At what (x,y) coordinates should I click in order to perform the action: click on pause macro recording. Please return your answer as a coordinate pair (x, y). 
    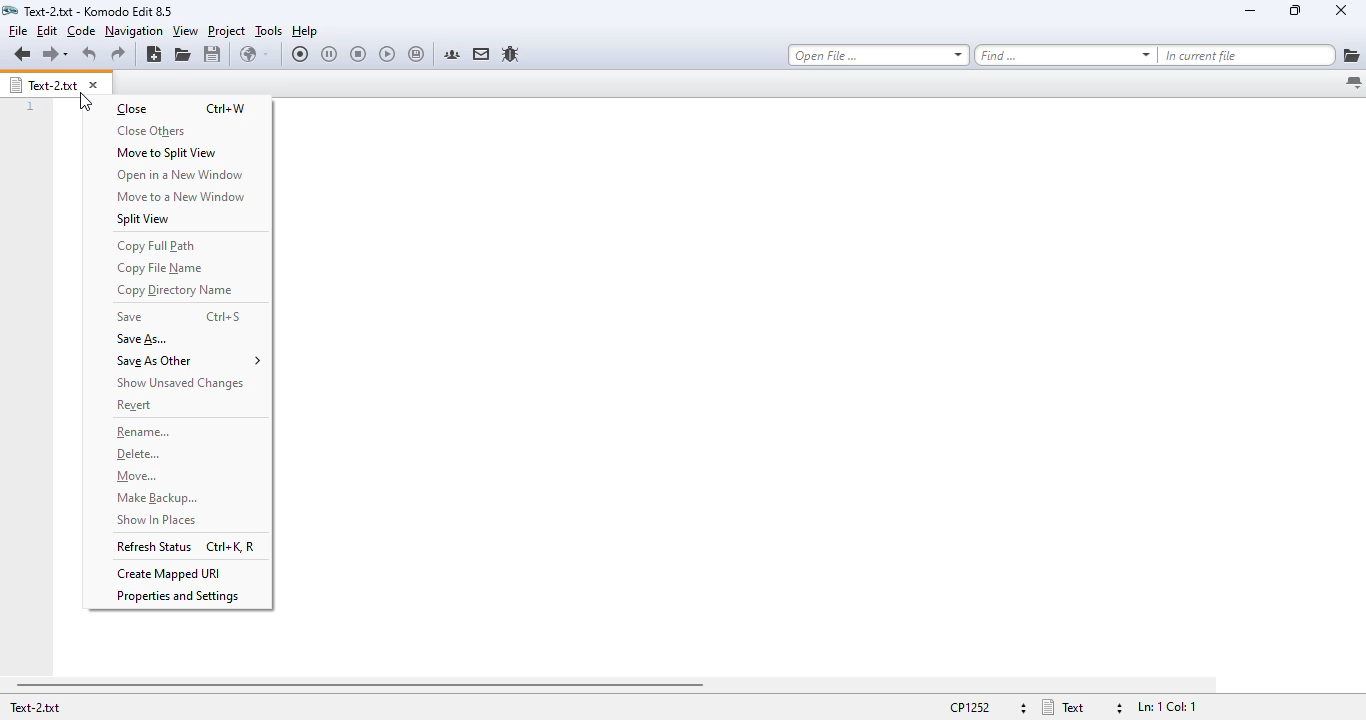
    Looking at the image, I should click on (330, 54).